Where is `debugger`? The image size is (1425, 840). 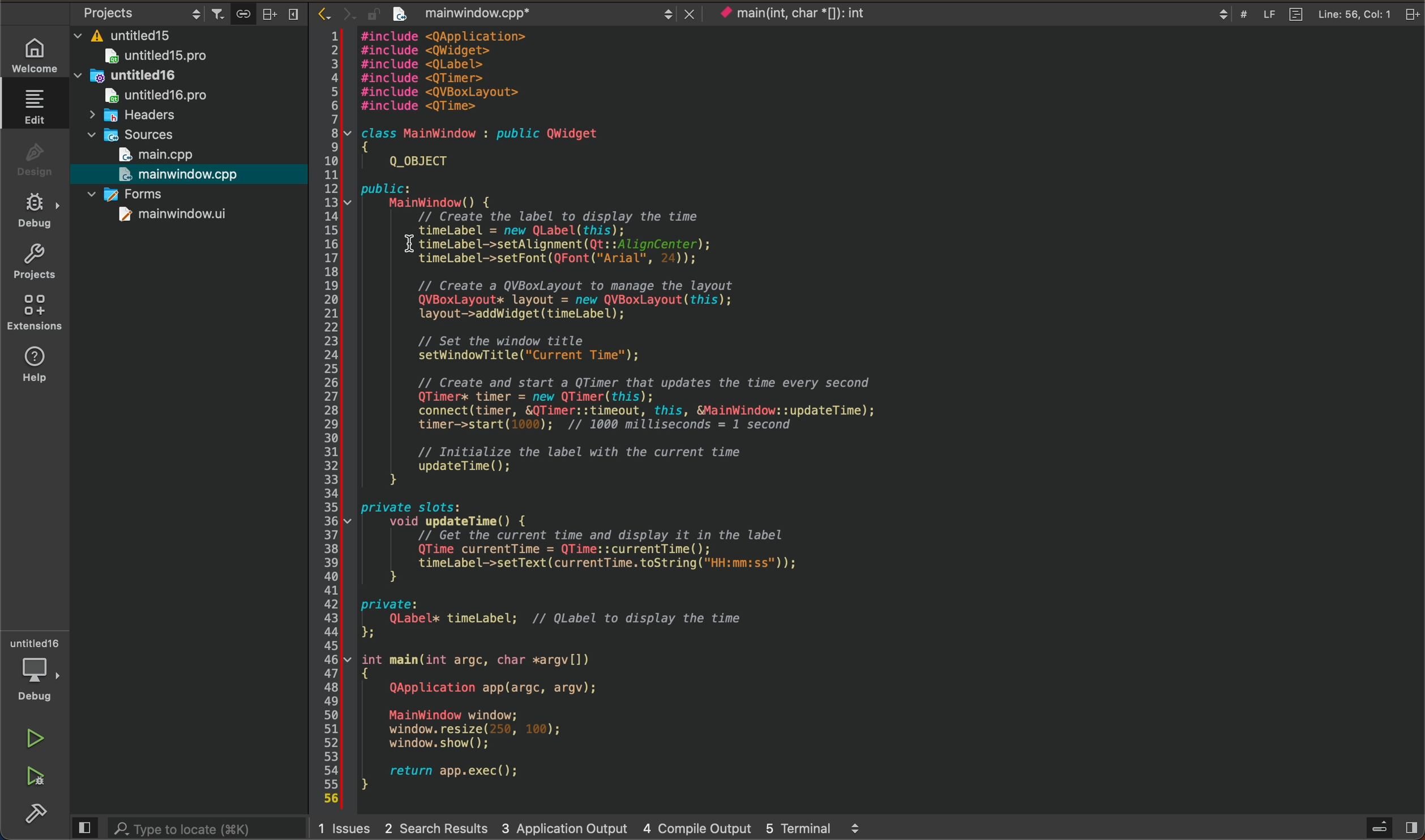
debugger is located at coordinates (37, 670).